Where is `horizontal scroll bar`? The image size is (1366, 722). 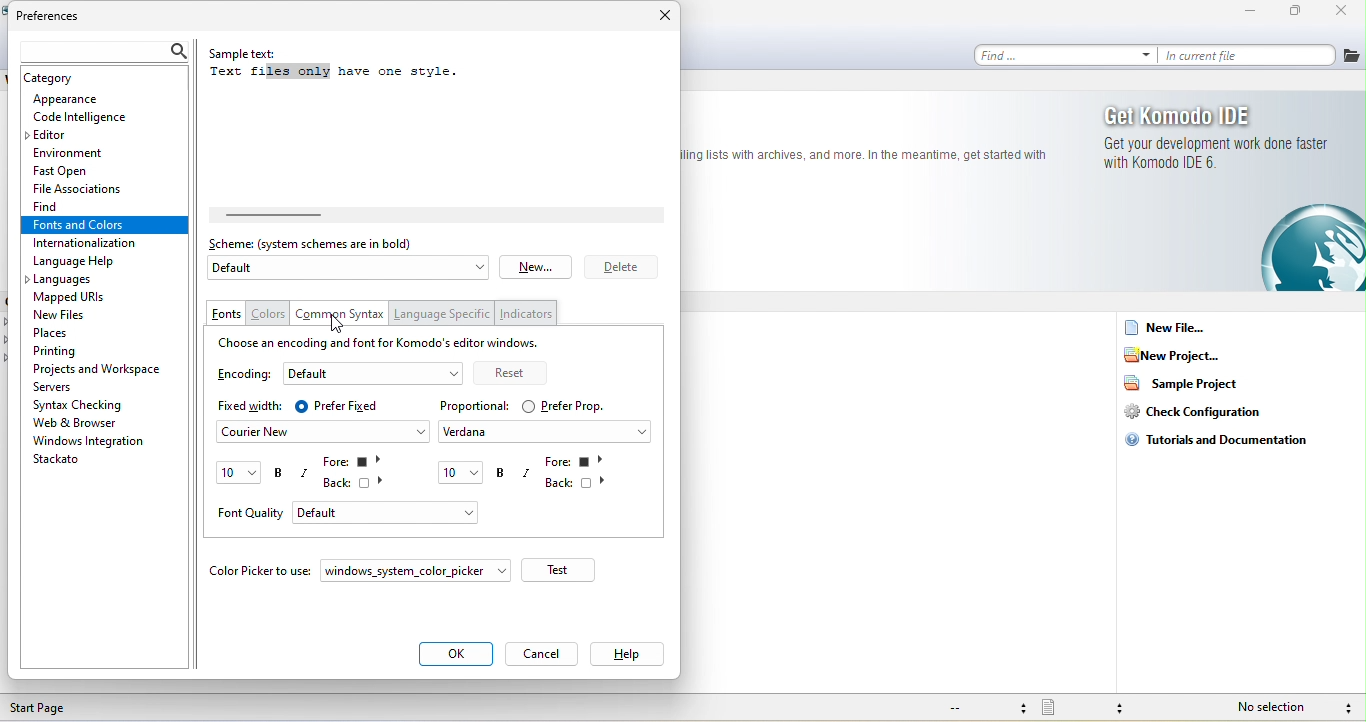 horizontal scroll bar is located at coordinates (302, 215).